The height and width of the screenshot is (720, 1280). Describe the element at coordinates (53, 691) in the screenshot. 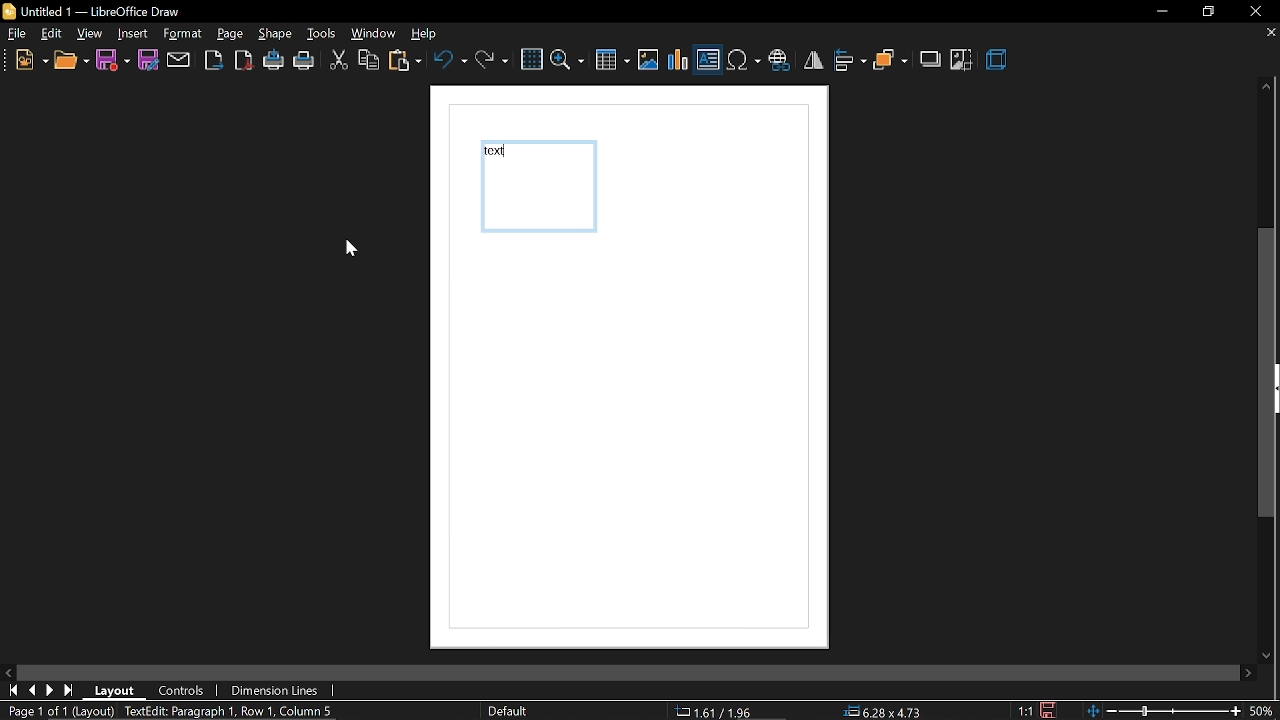

I see `go to last page` at that location.